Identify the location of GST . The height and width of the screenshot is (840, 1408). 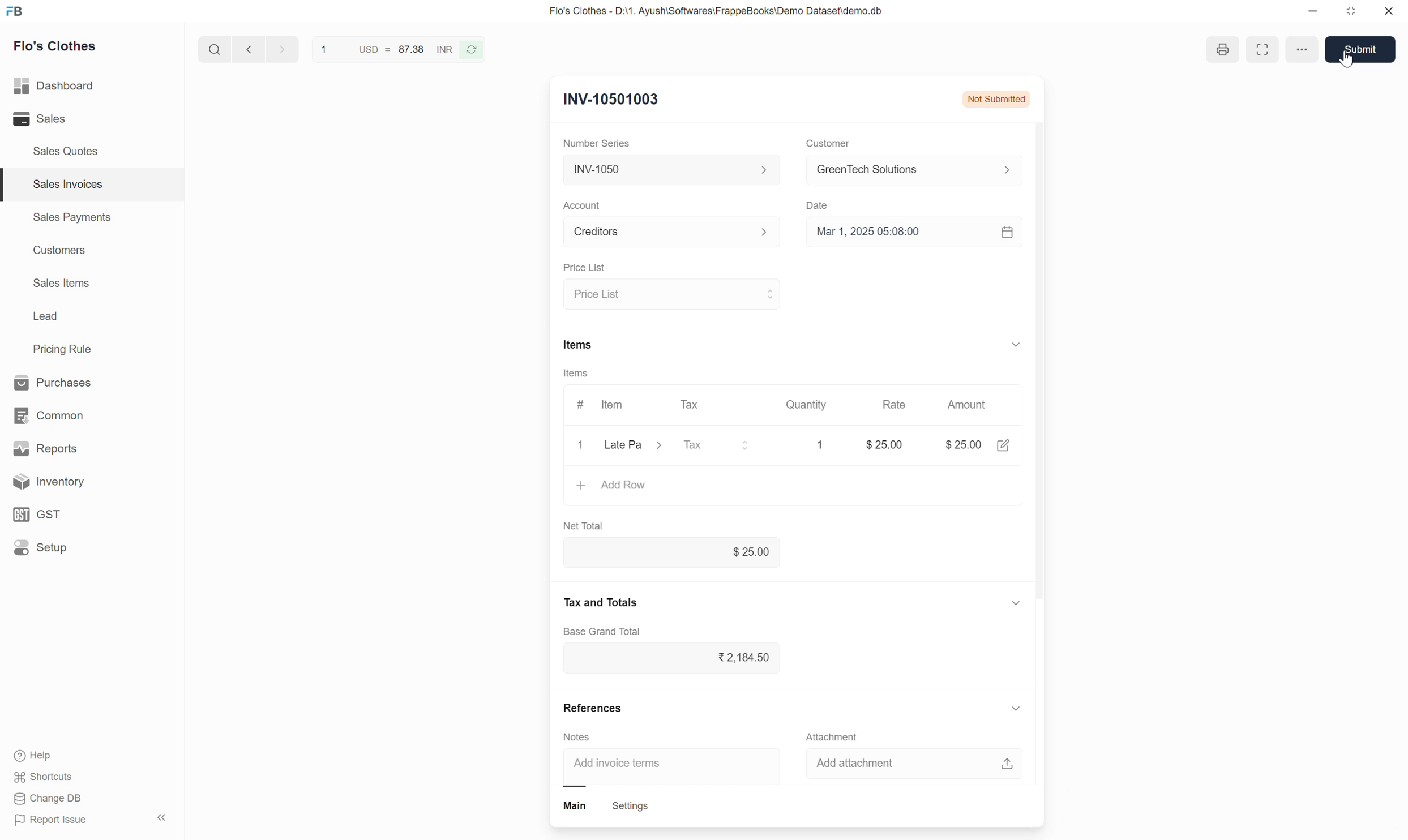
(79, 513).